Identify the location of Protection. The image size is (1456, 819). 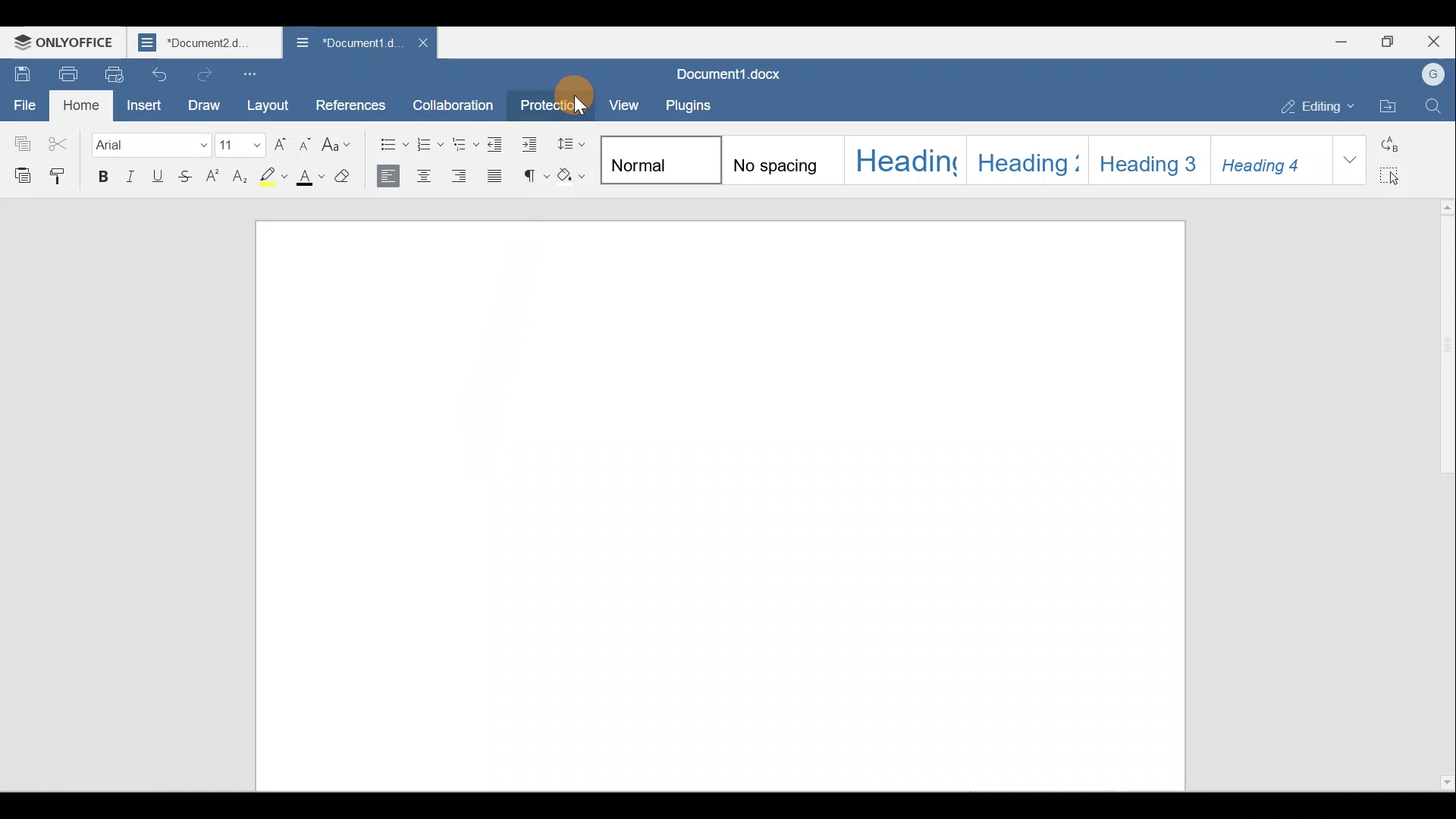
(551, 106).